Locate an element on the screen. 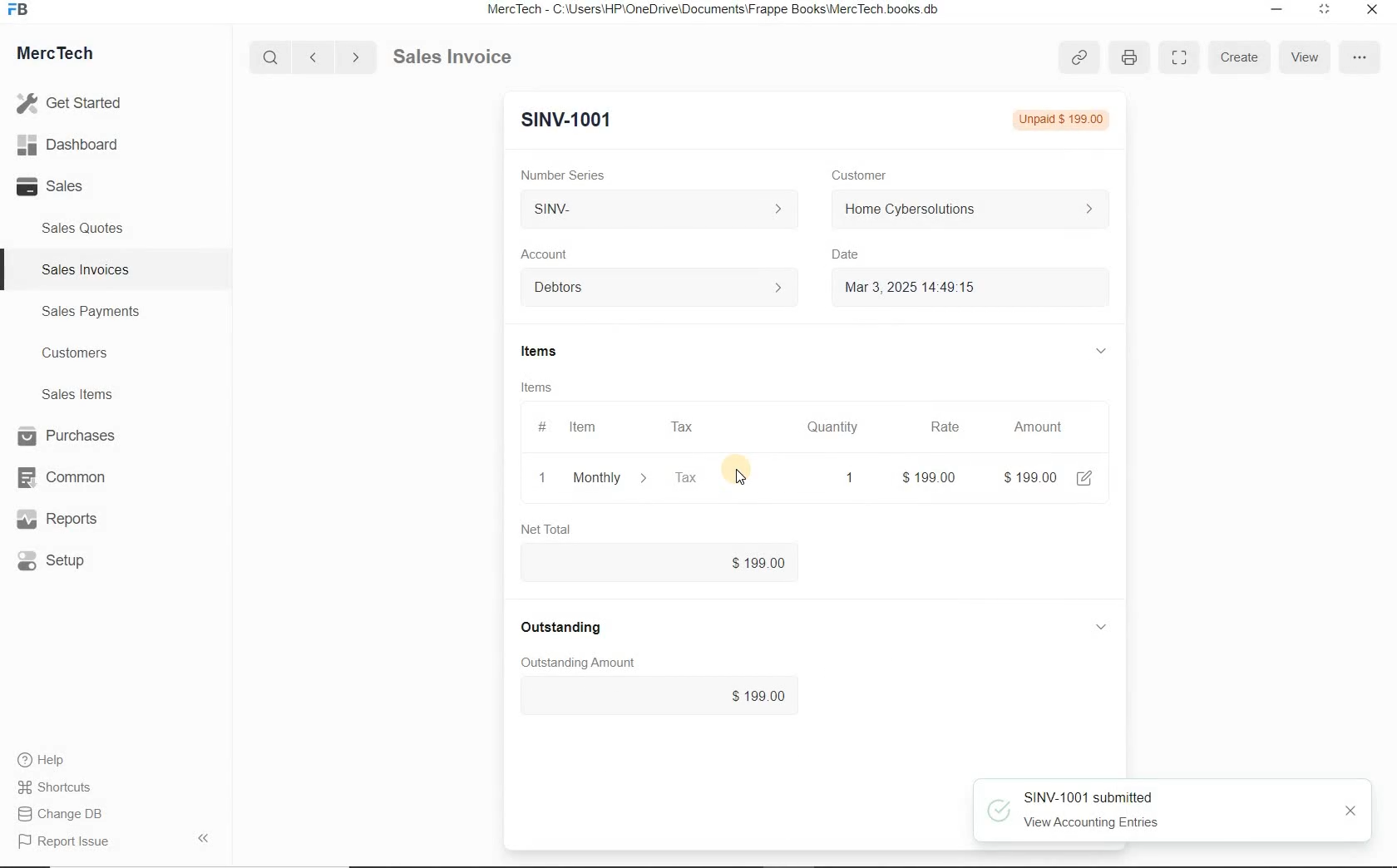 This screenshot has width=1397, height=868. cursor is located at coordinates (738, 480).